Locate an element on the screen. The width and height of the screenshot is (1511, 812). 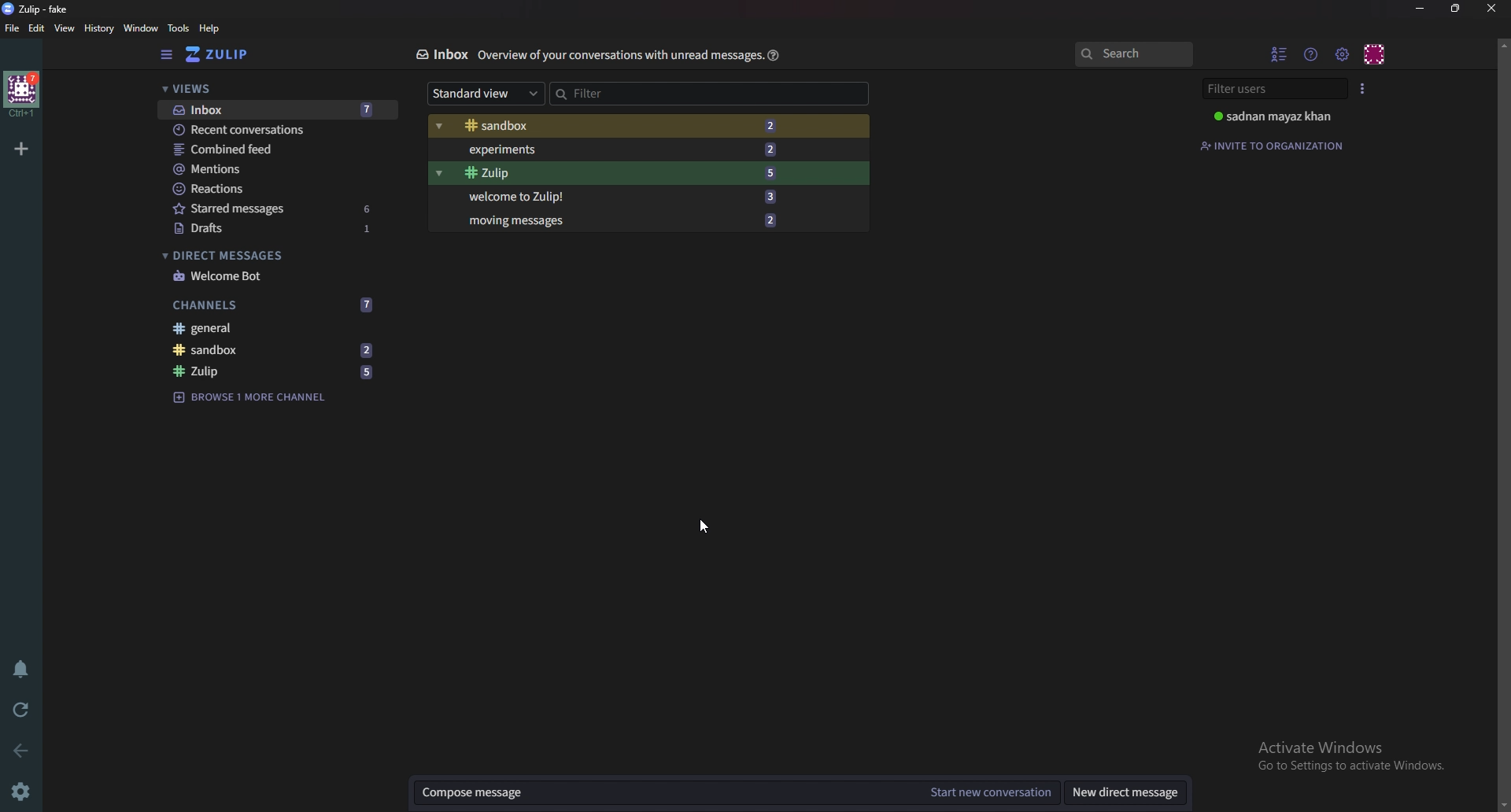
Channels is located at coordinates (277, 303).